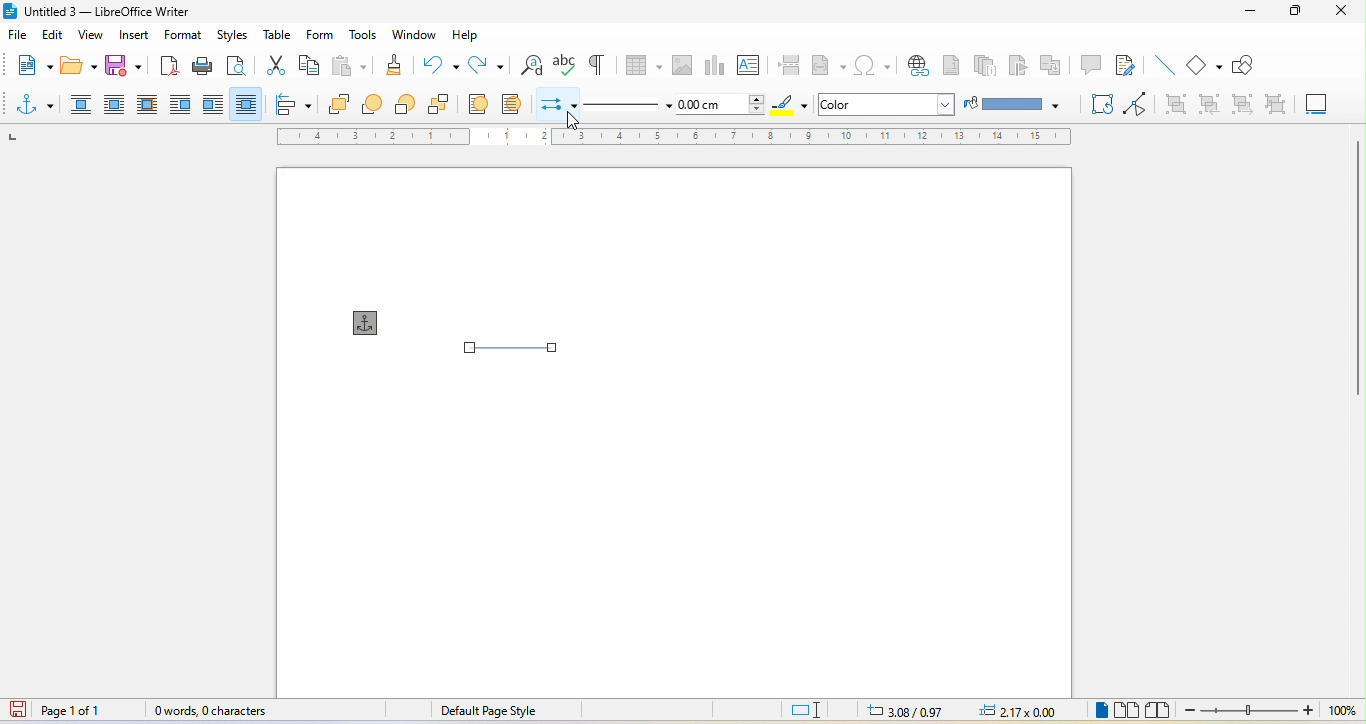  I want to click on insert, so click(135, 38).